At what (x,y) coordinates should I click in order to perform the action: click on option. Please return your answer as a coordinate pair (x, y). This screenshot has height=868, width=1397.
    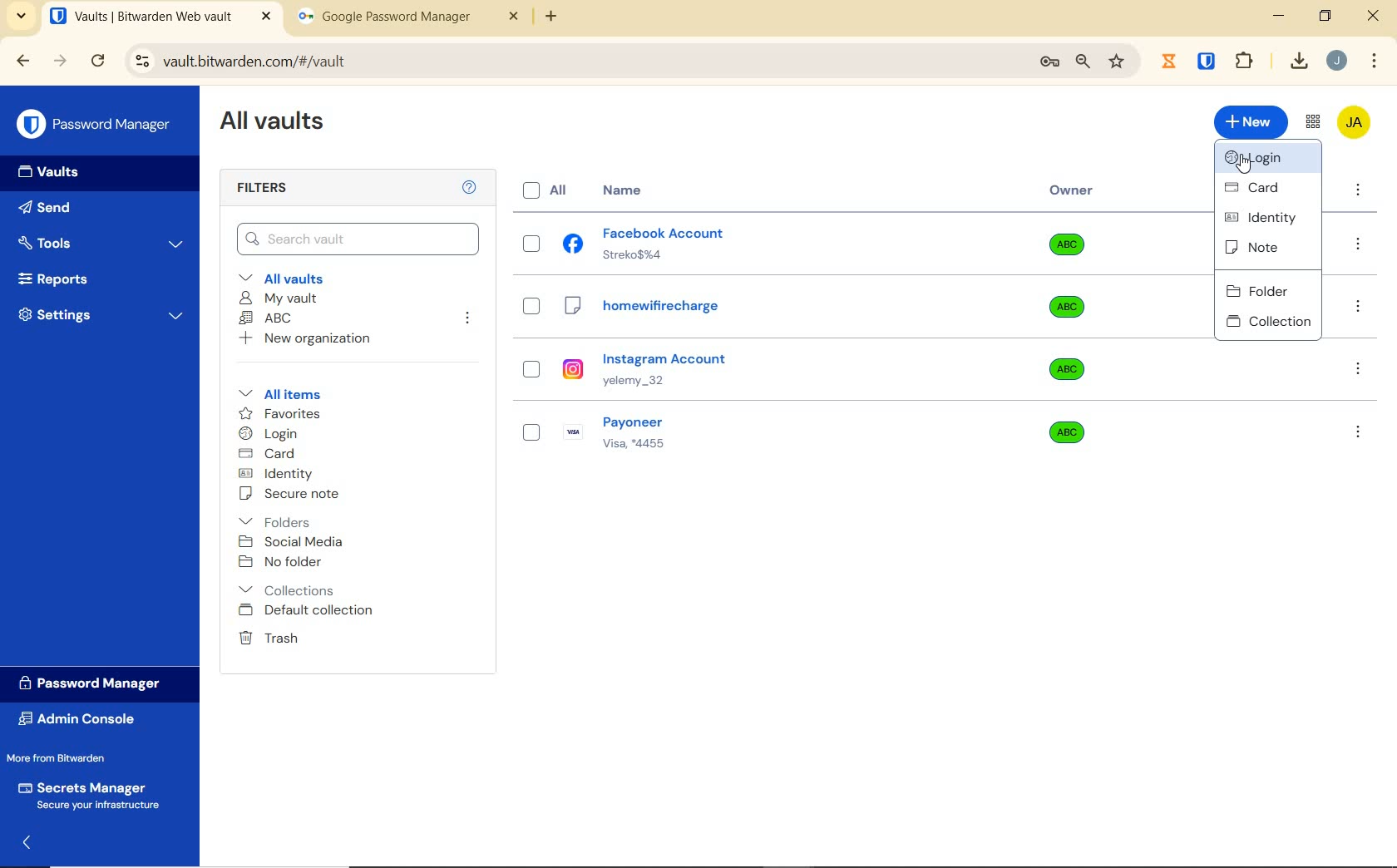
    Looking at the image, I should click on (1361, 308).